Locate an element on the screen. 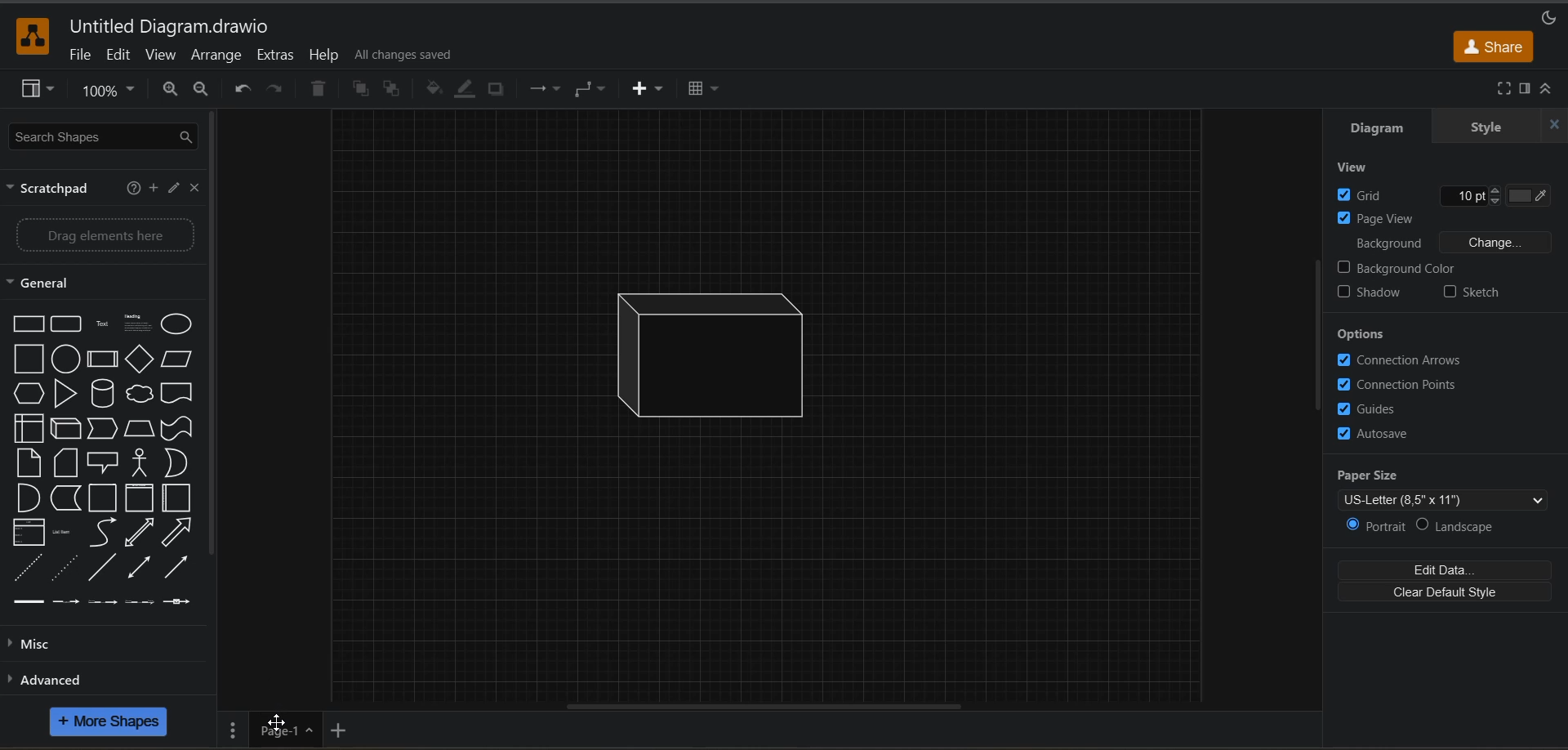 The height and width of the screenshot is (750, 1568). landscape is located at coordinates (1466, 526).